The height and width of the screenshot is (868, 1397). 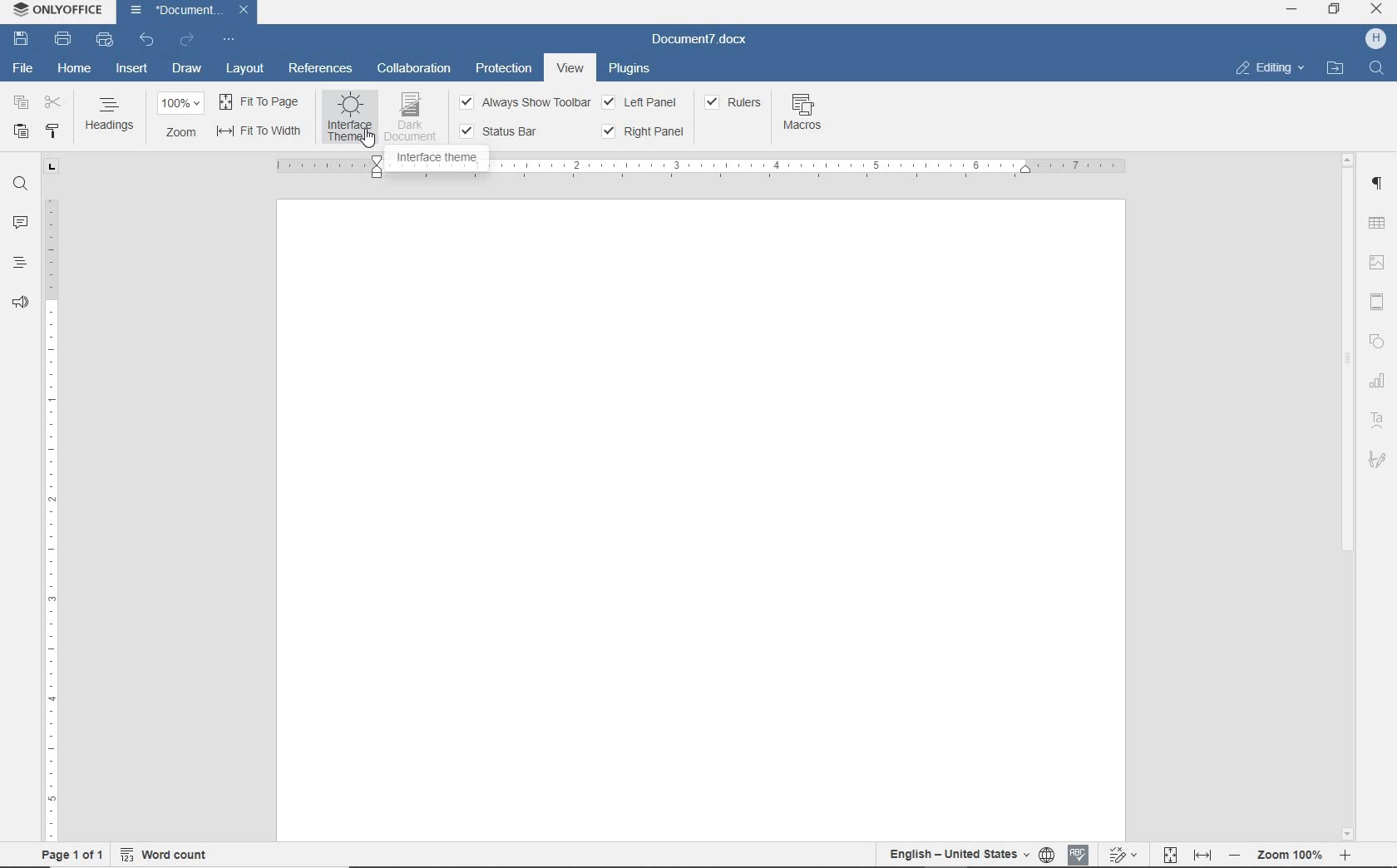 What do you see at coordinates (77, 67) in the screenshot?
I see `HOME` at bounding box center [77, 67].